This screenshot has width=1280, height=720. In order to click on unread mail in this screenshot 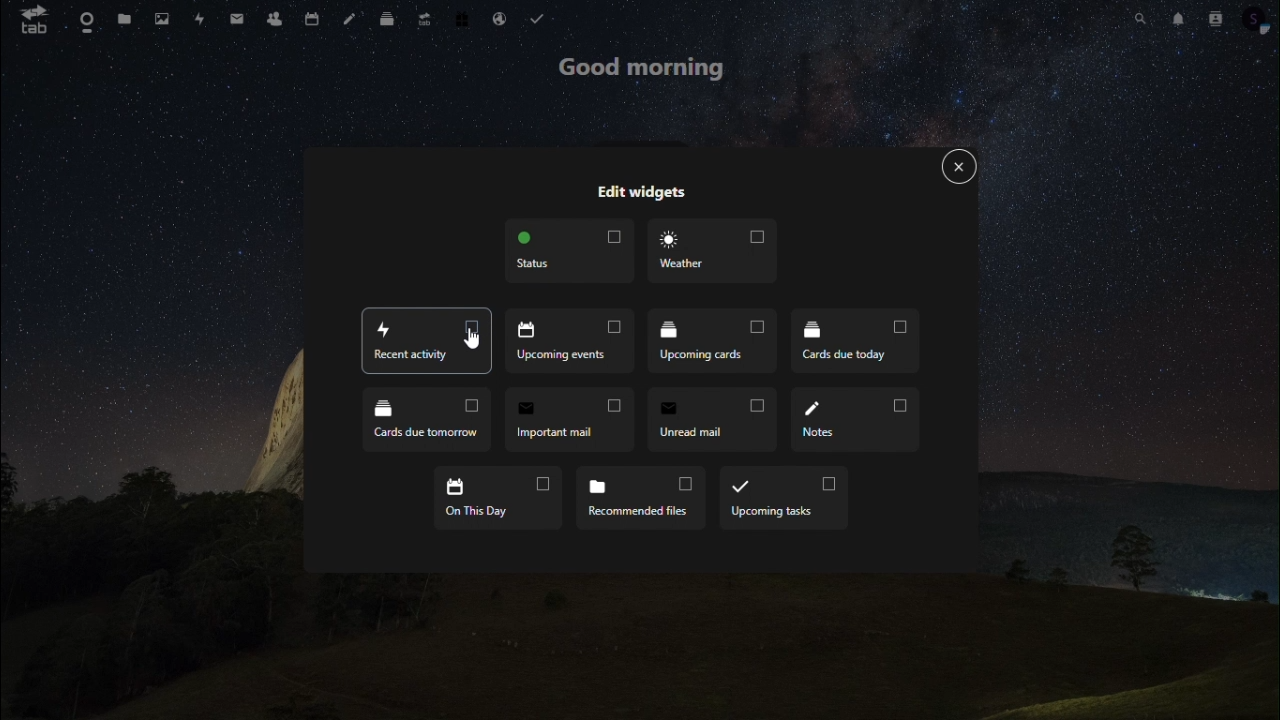, I will do `click(712, 422)`.